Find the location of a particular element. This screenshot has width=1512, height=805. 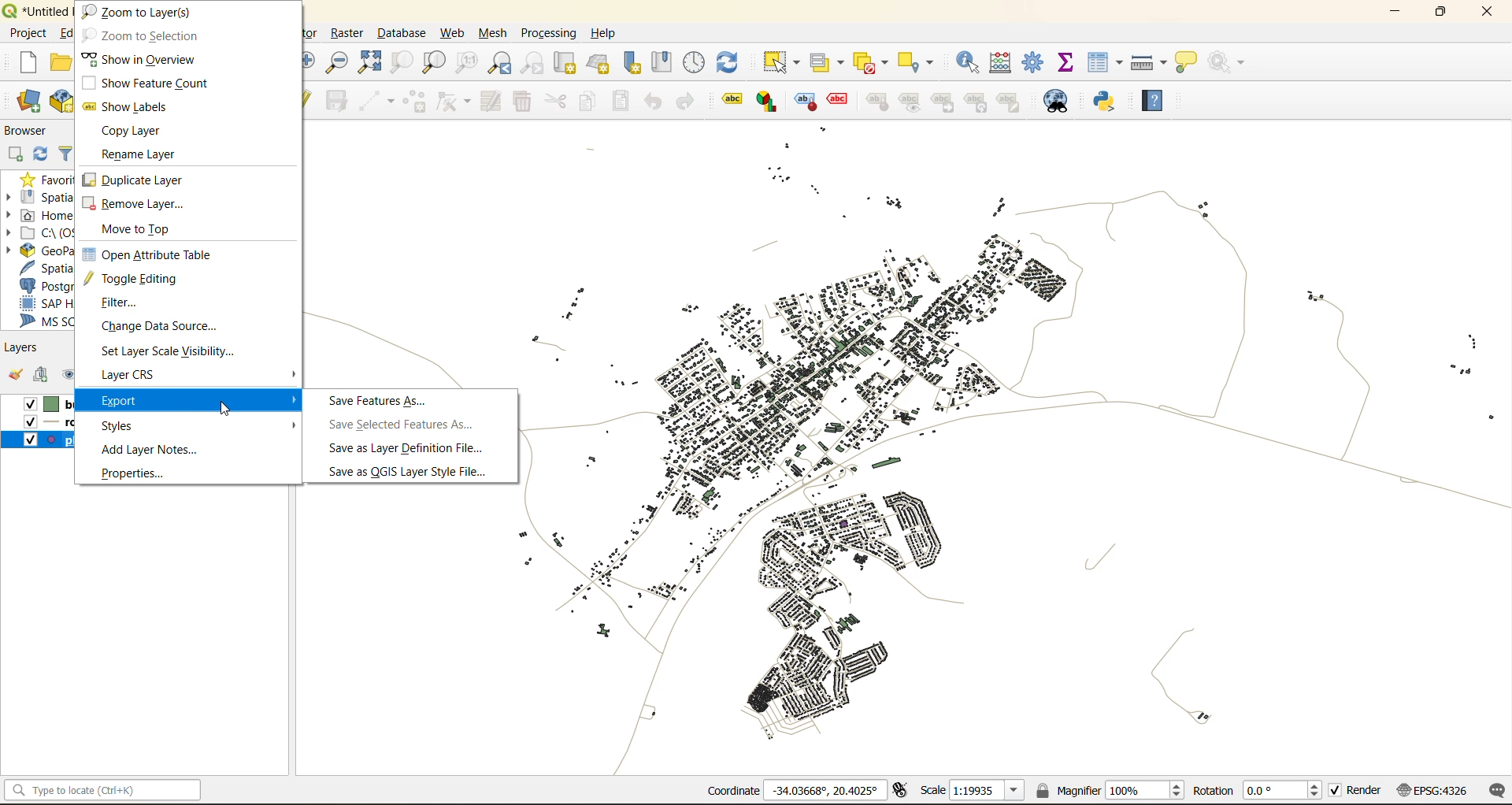

zoom layer is located at coordinates (434, 62).